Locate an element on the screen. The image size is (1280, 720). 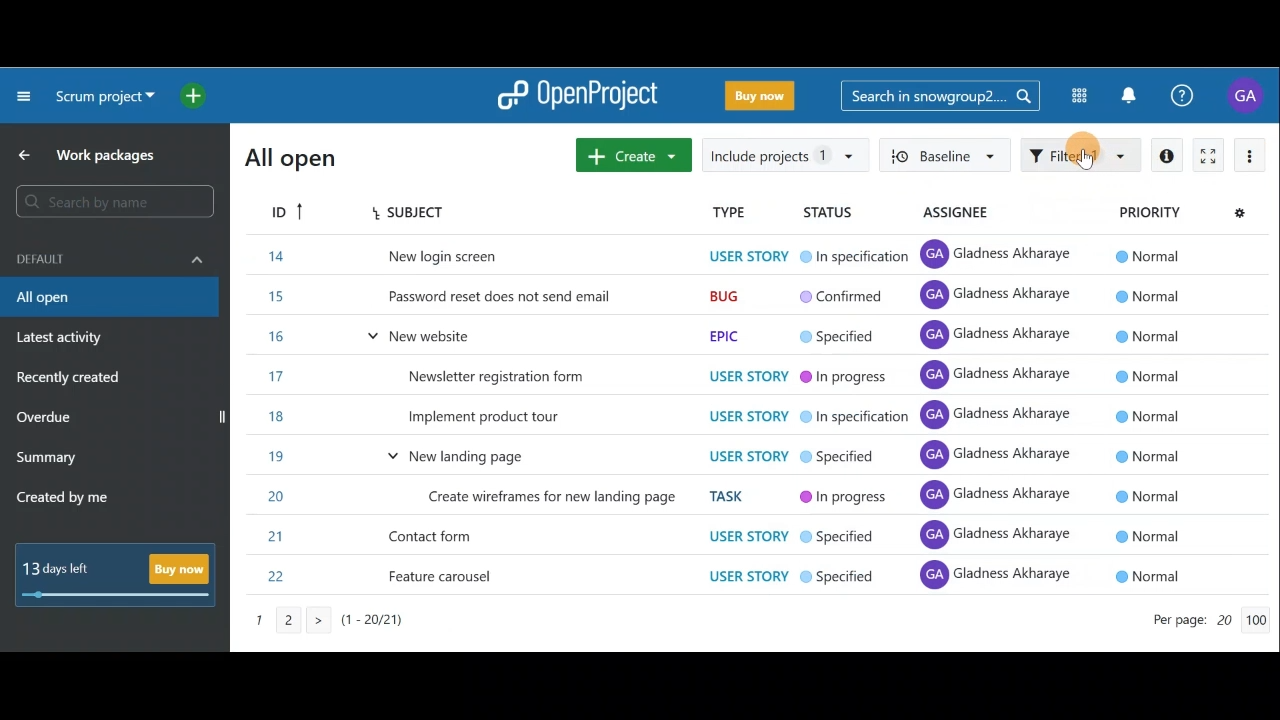
Priority is located at coordinates (1143, 215).